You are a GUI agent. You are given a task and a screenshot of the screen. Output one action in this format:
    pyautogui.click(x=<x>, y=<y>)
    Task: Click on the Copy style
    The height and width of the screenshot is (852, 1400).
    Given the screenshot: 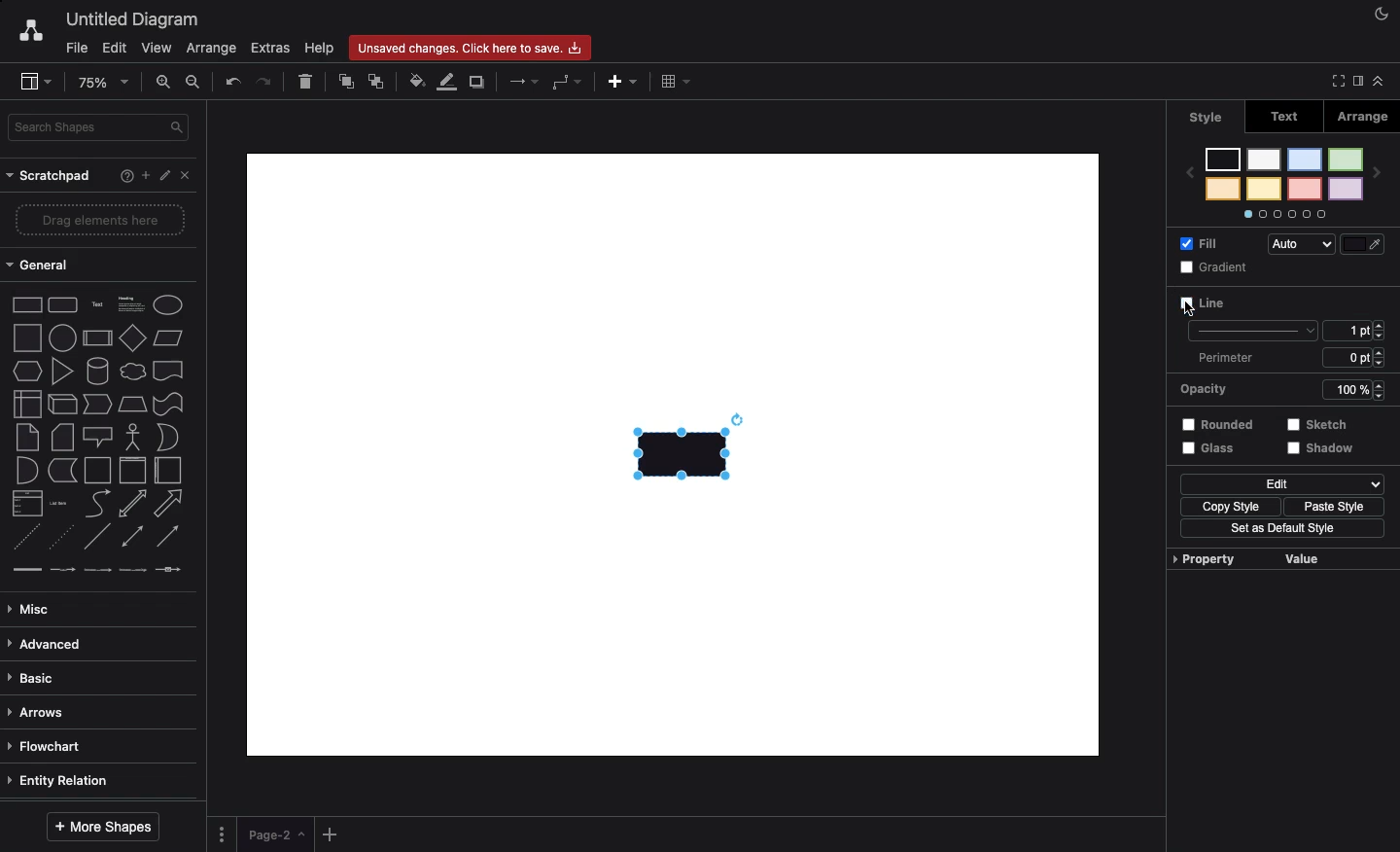 What is the action you would take?
    pyautogui.click(x=1225, y=505)
    